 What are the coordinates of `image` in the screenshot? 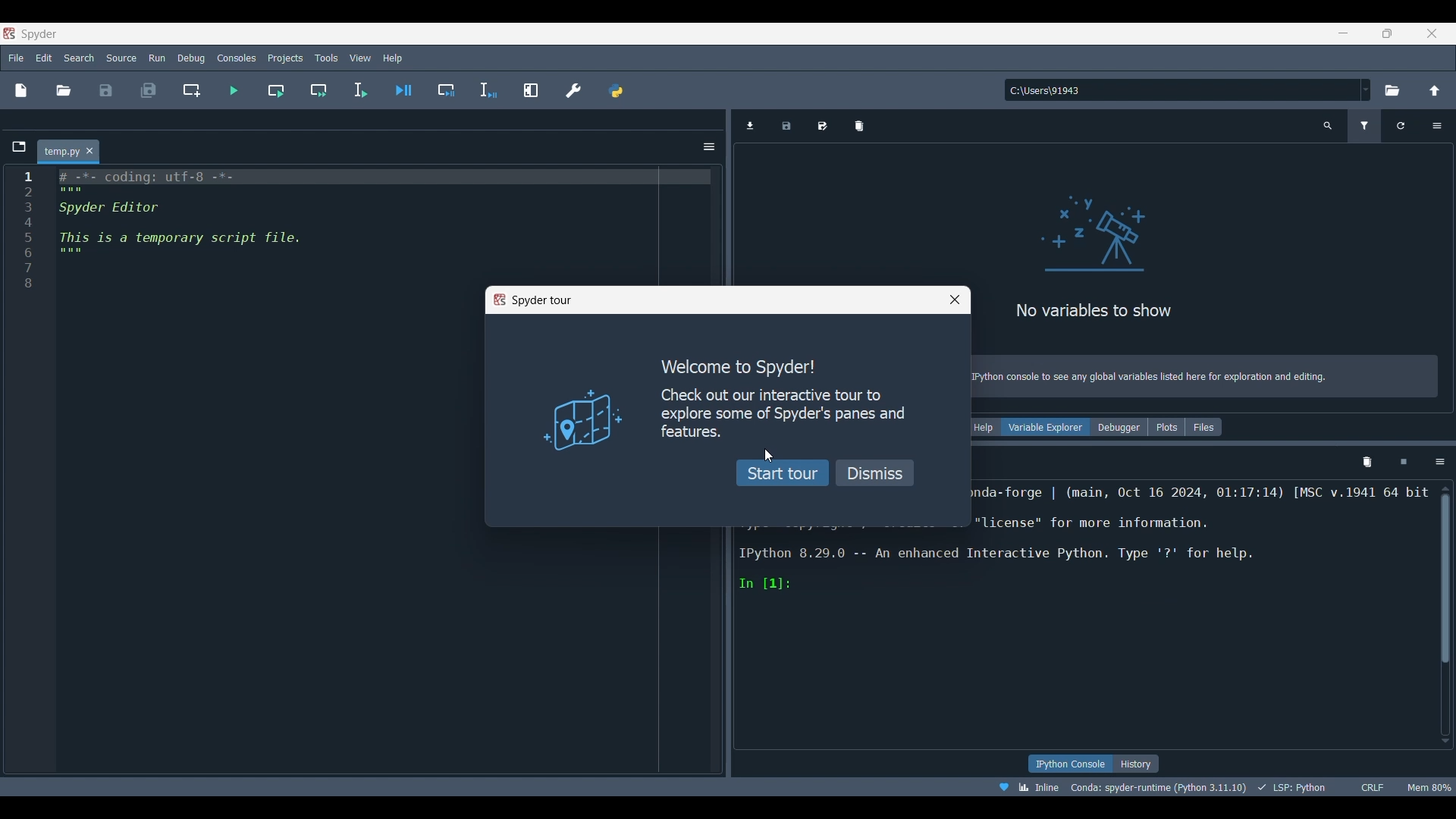 It's located at (585, 422).